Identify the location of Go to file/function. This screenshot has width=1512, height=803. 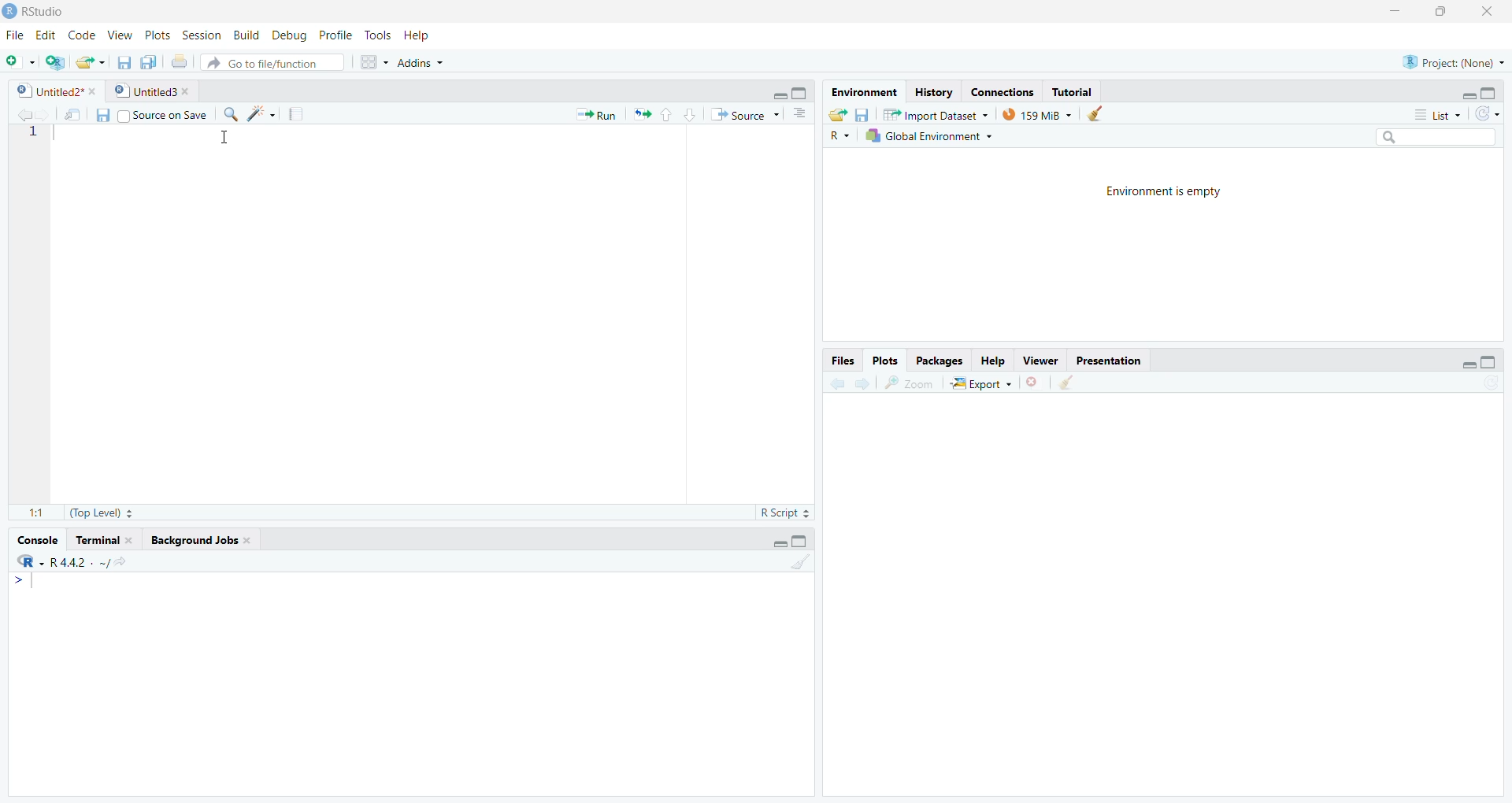
(271, 65).